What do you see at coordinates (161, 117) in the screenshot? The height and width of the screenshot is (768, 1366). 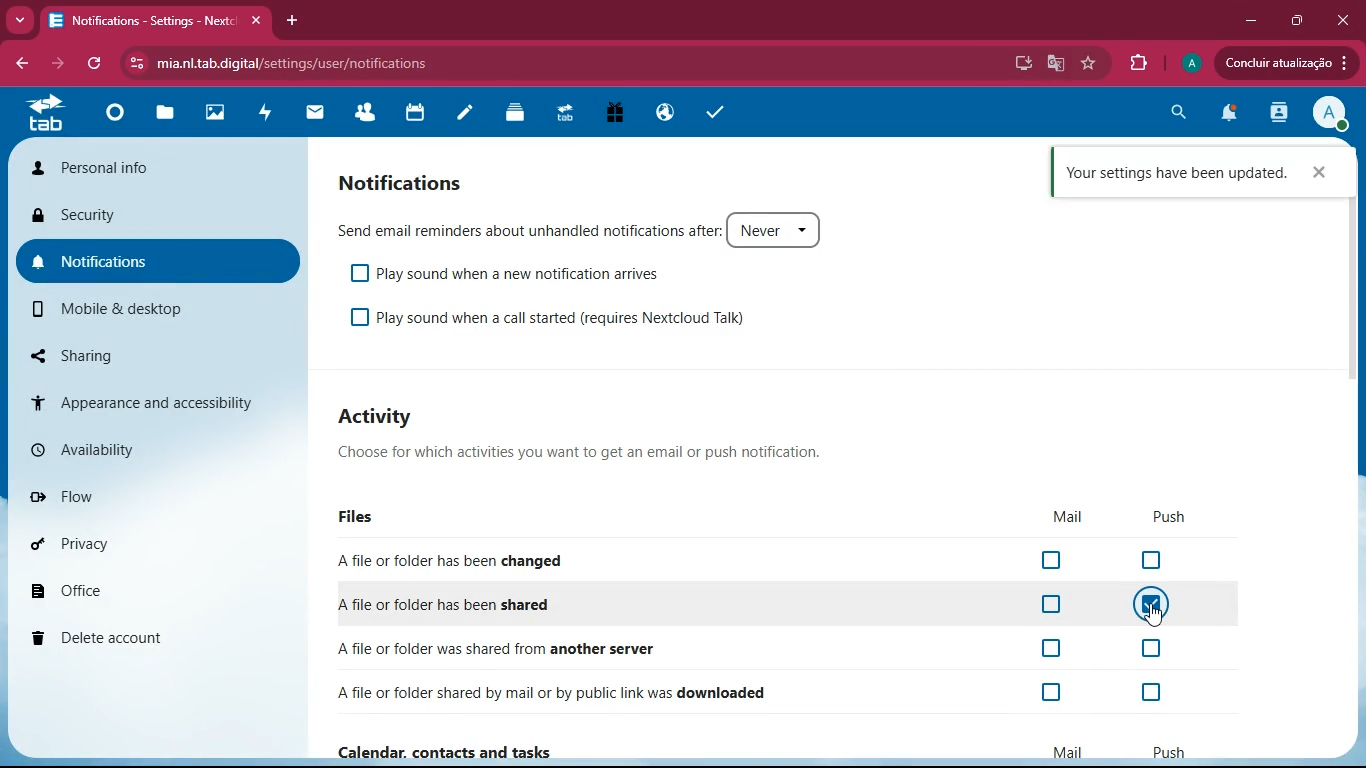 I see `files` at bounding box center [161, 117].